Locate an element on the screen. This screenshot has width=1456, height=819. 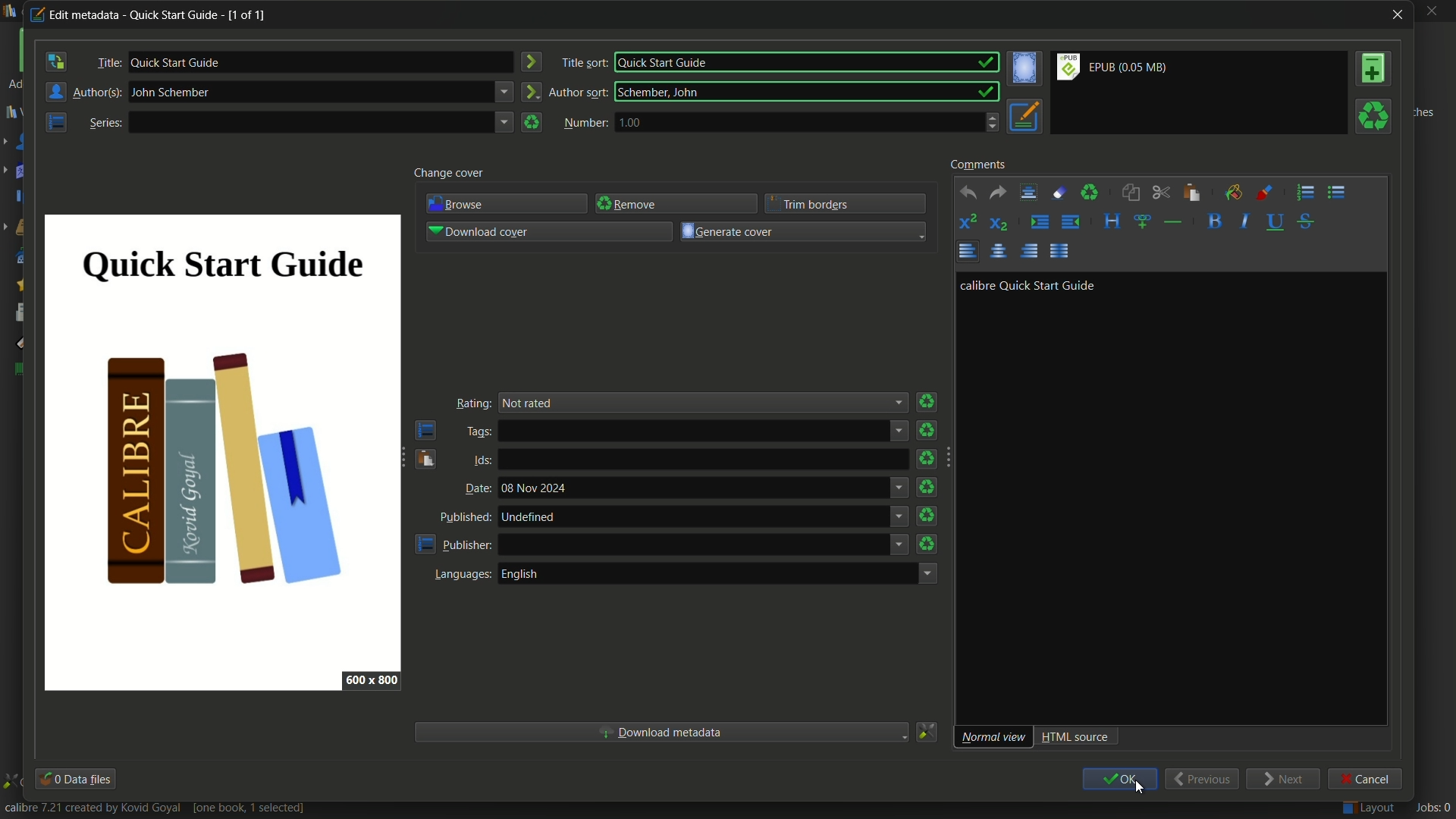
style the selected text block is located at coordinates (1111, 224).